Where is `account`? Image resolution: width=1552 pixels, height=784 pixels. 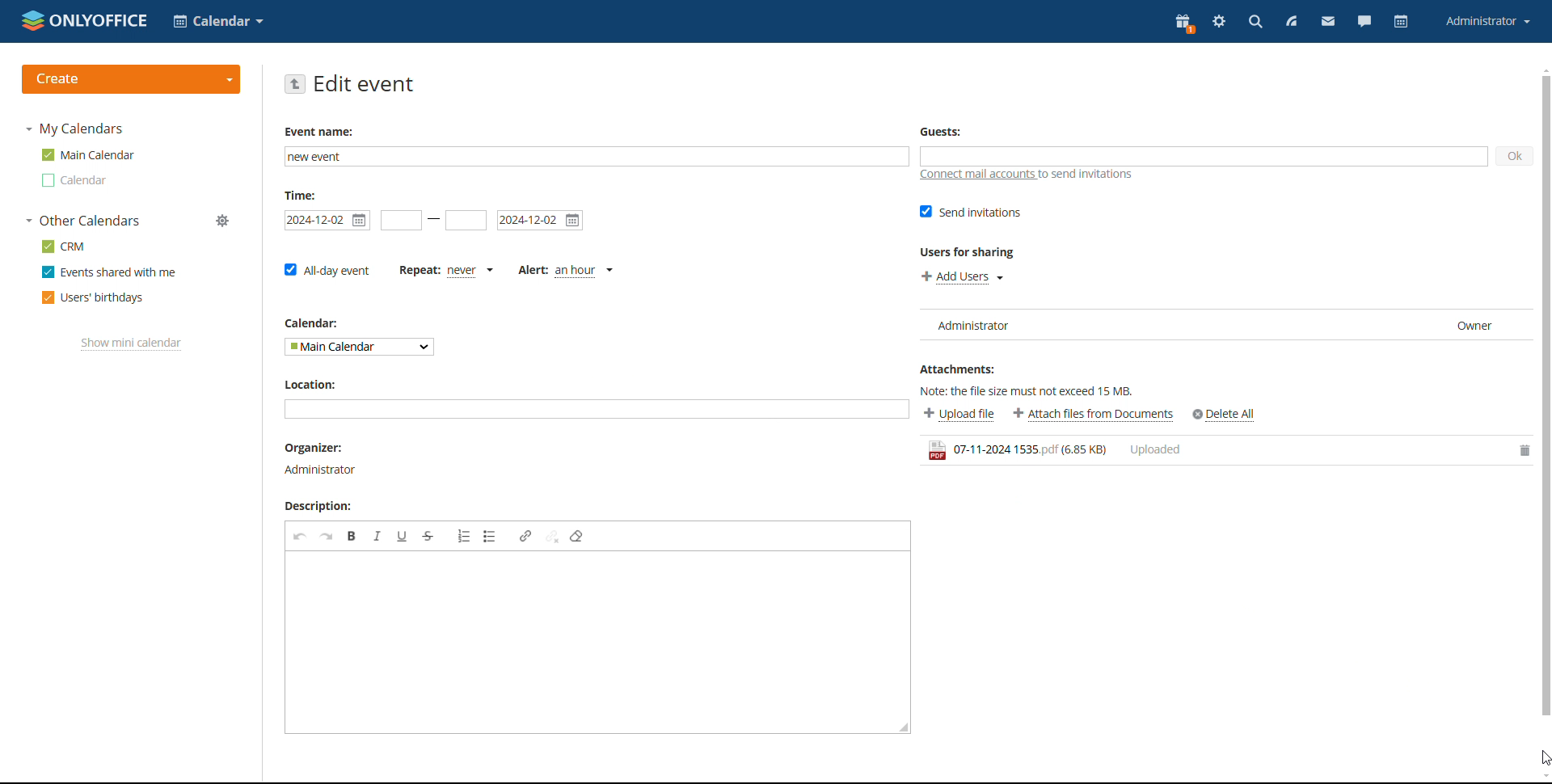
account is located at coordinates (1488, 23).